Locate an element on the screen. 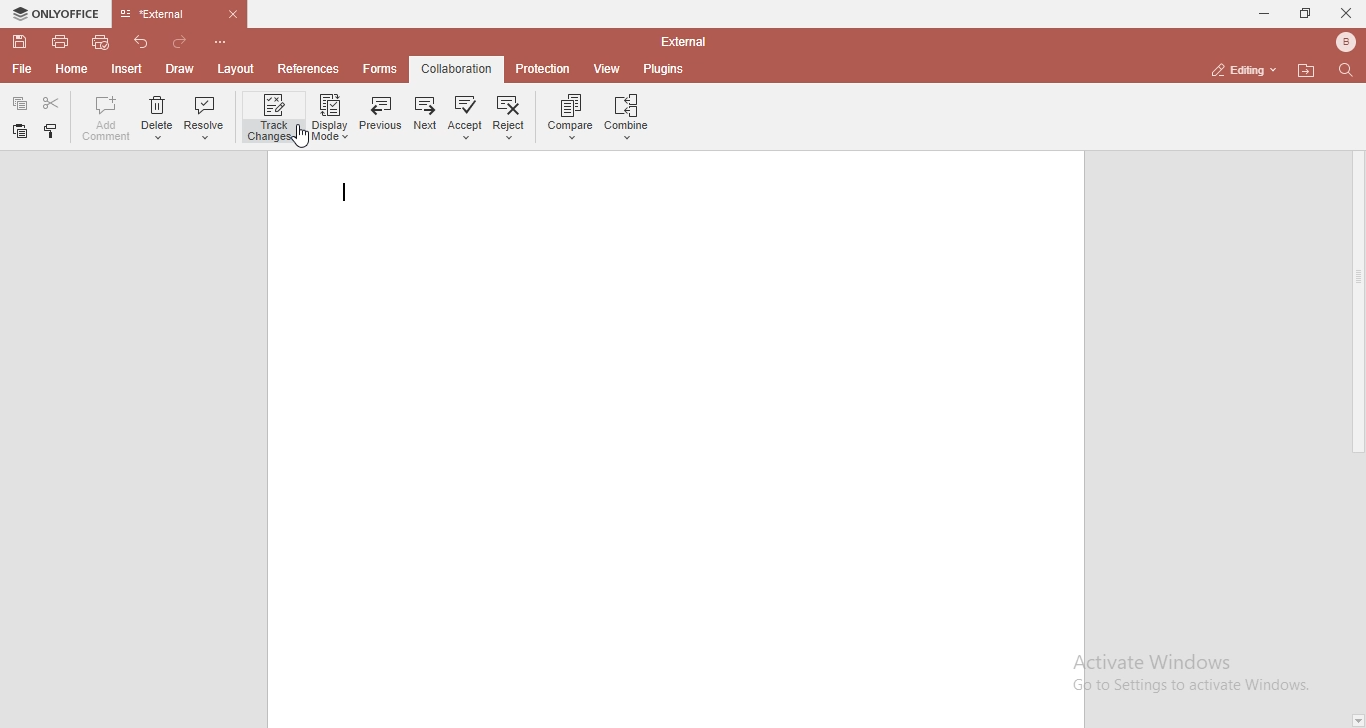 Image resolution: width=1366 pixels, height=728 pixels. home is located at coordinates (72, 70).